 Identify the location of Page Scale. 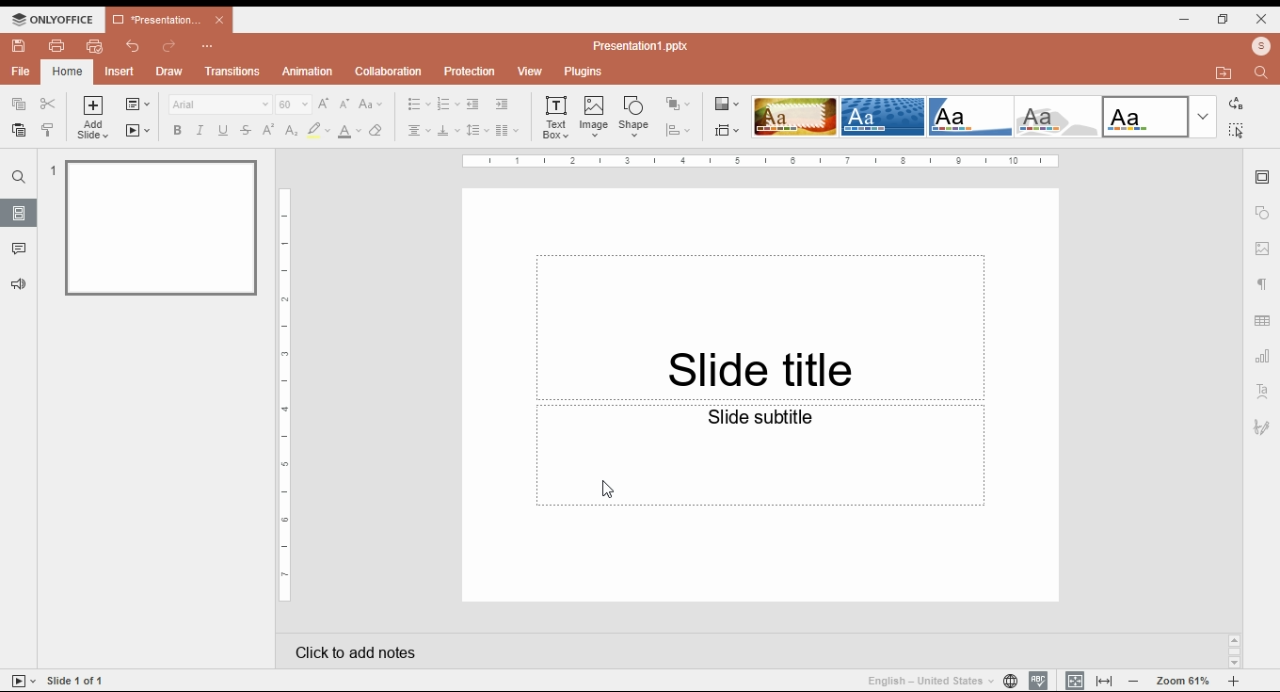
(286, 396).